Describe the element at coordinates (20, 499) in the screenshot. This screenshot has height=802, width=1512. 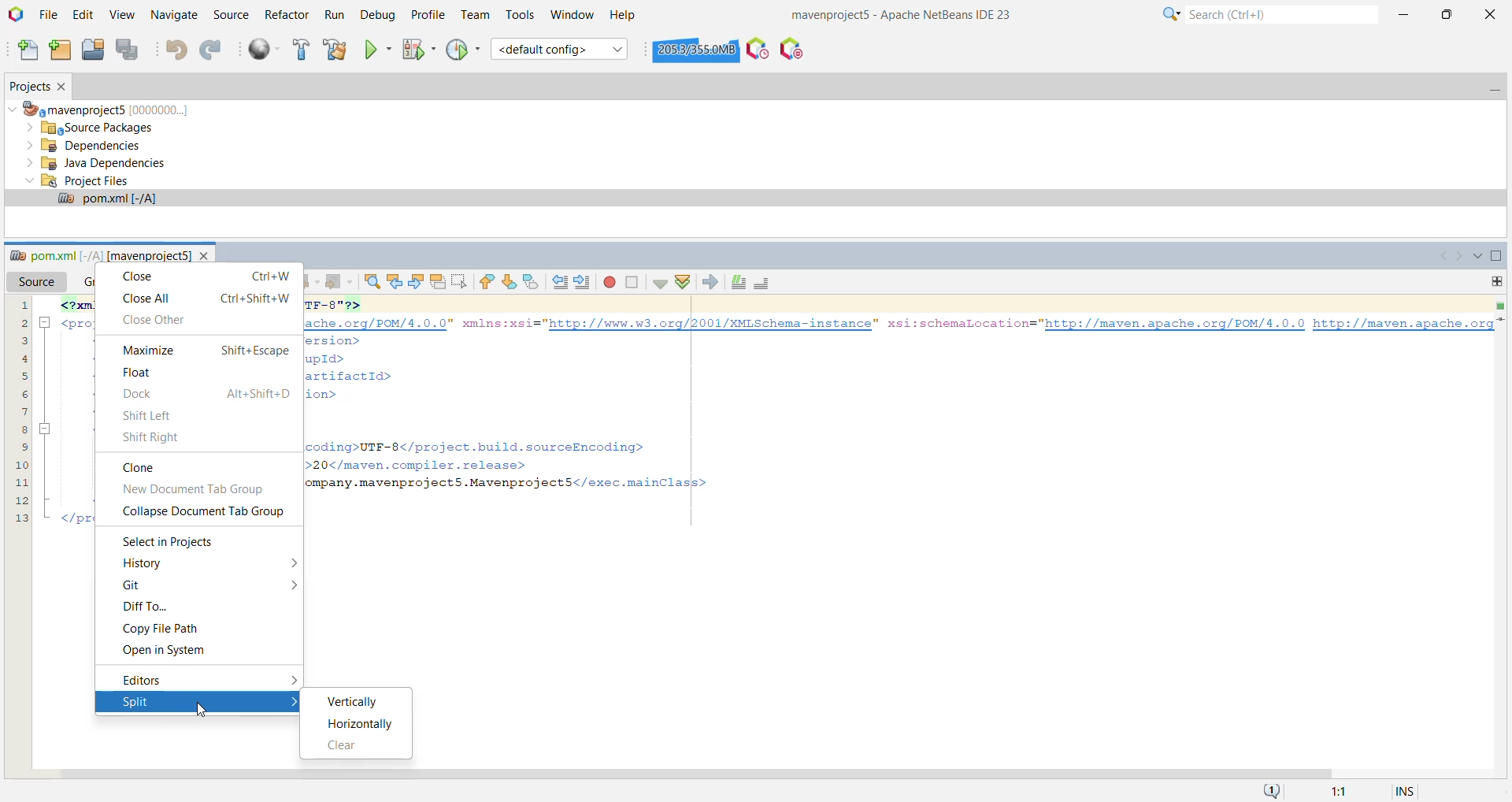
I see `12` at that location.